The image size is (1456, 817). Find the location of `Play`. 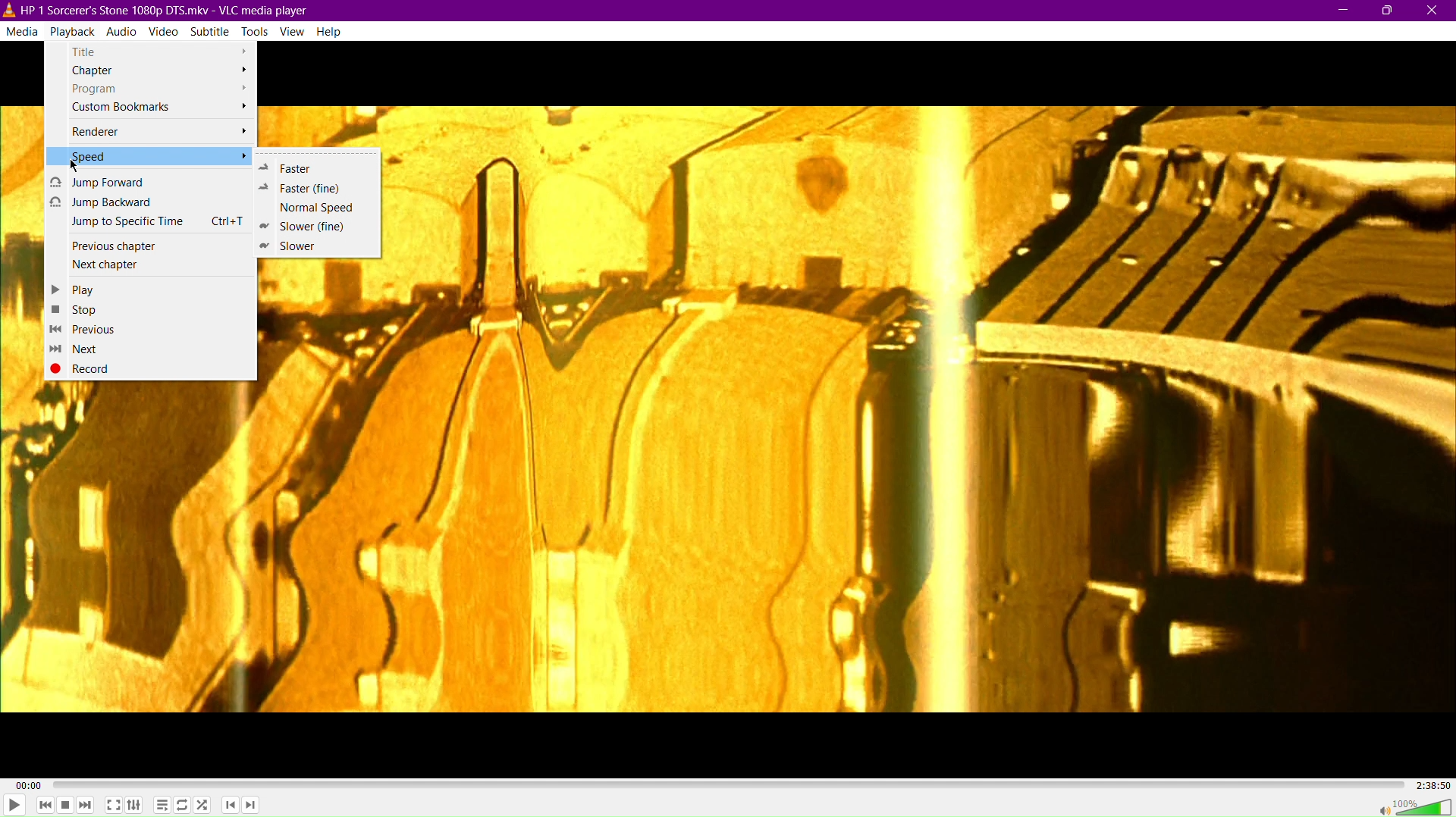

Play is located at coordinates (79, 289).